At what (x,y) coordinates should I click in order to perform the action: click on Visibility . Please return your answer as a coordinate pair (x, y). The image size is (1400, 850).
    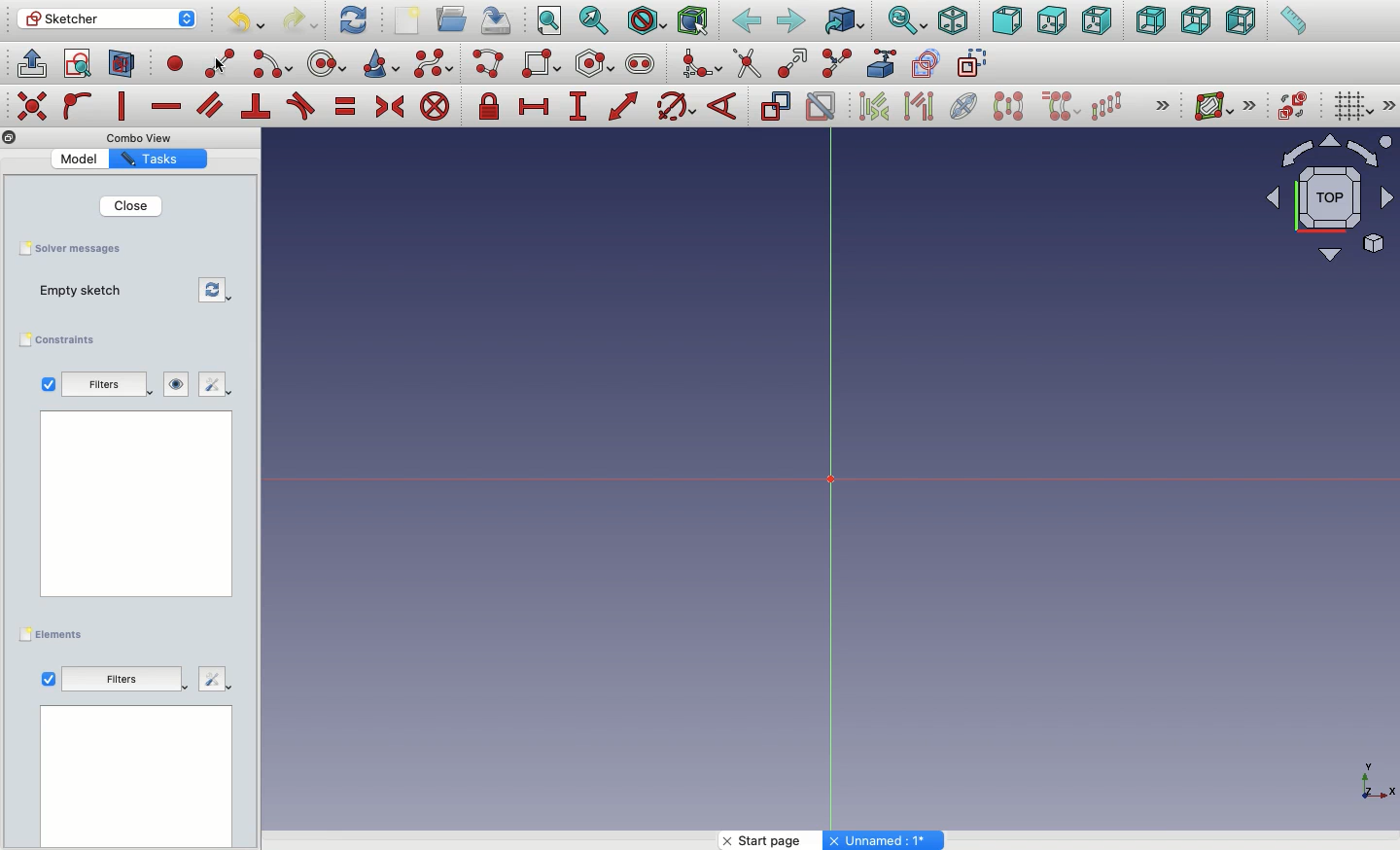
    Looking at the image, I should click on (177, 382).